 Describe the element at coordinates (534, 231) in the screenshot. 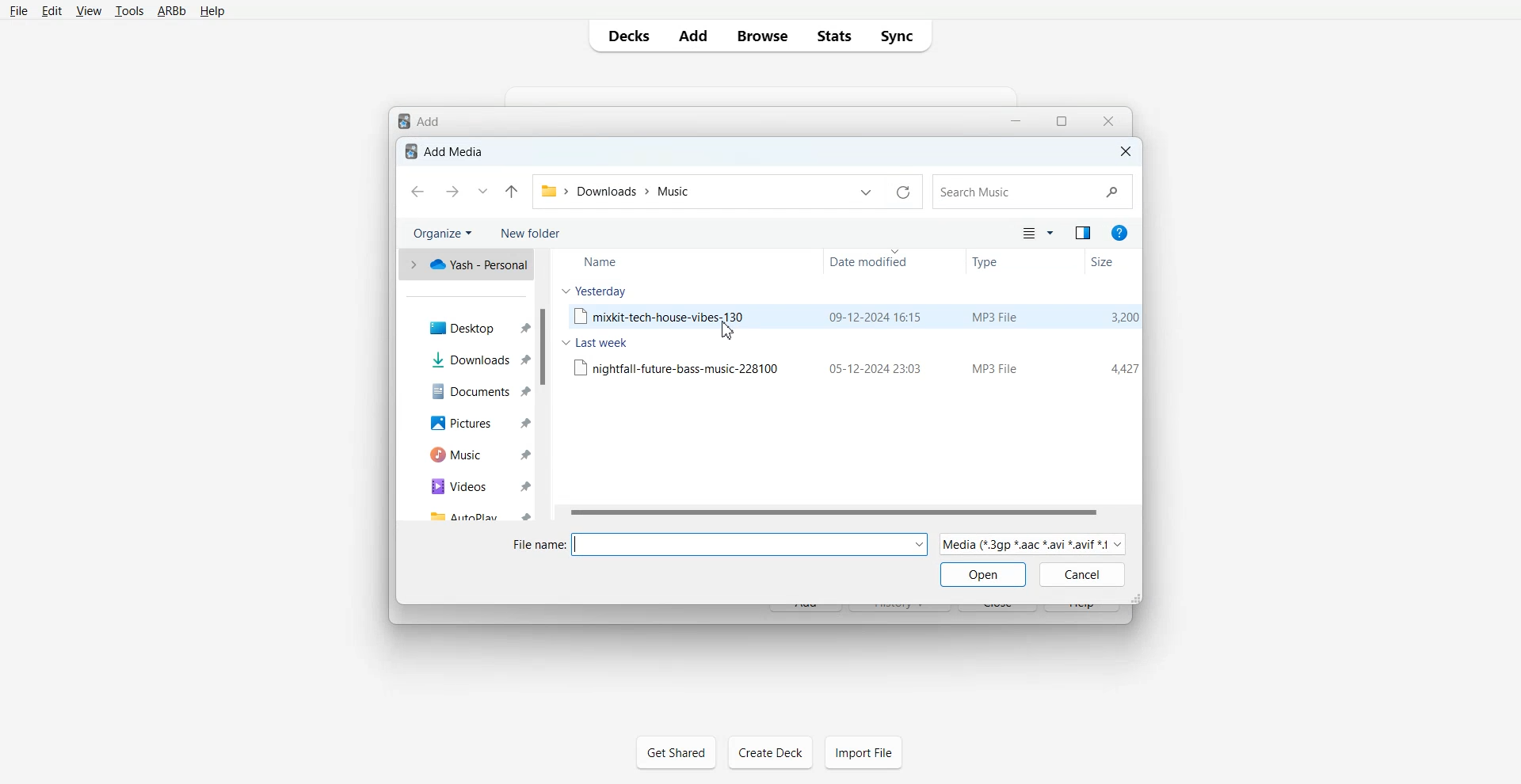

I see `New Folder` at that location.